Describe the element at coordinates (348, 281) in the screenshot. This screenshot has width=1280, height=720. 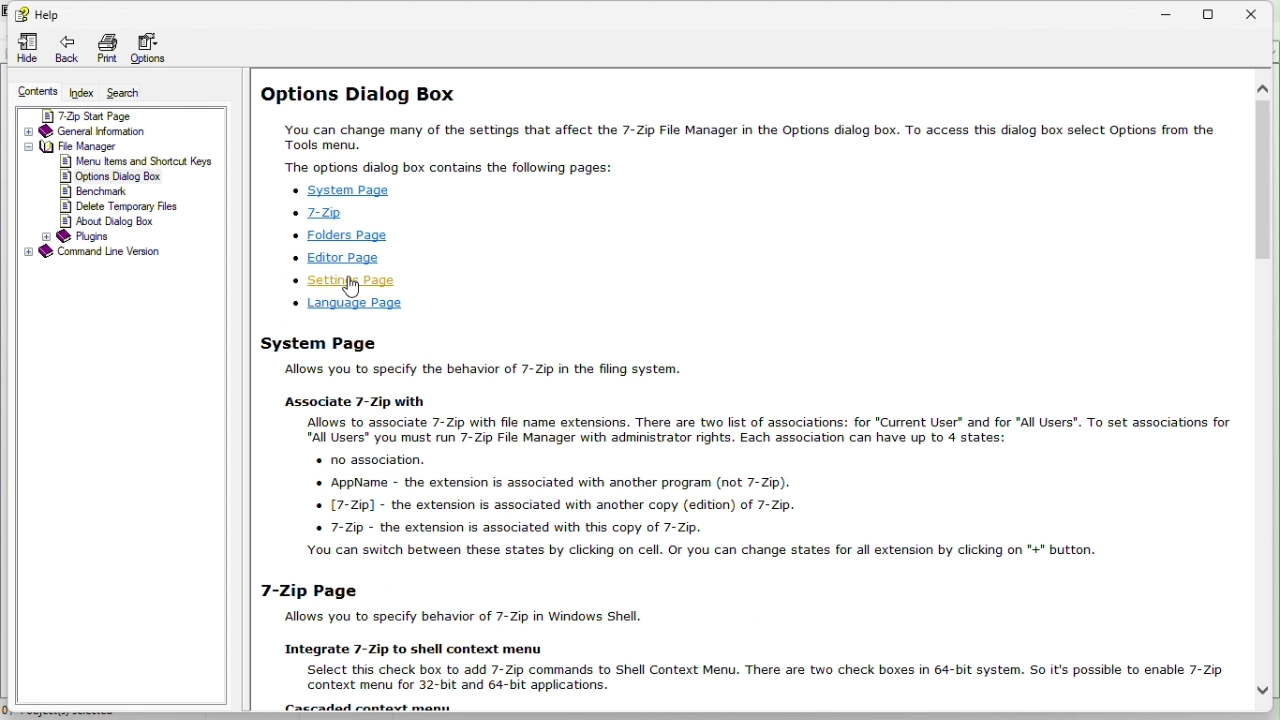
I see `settings page` at that location.